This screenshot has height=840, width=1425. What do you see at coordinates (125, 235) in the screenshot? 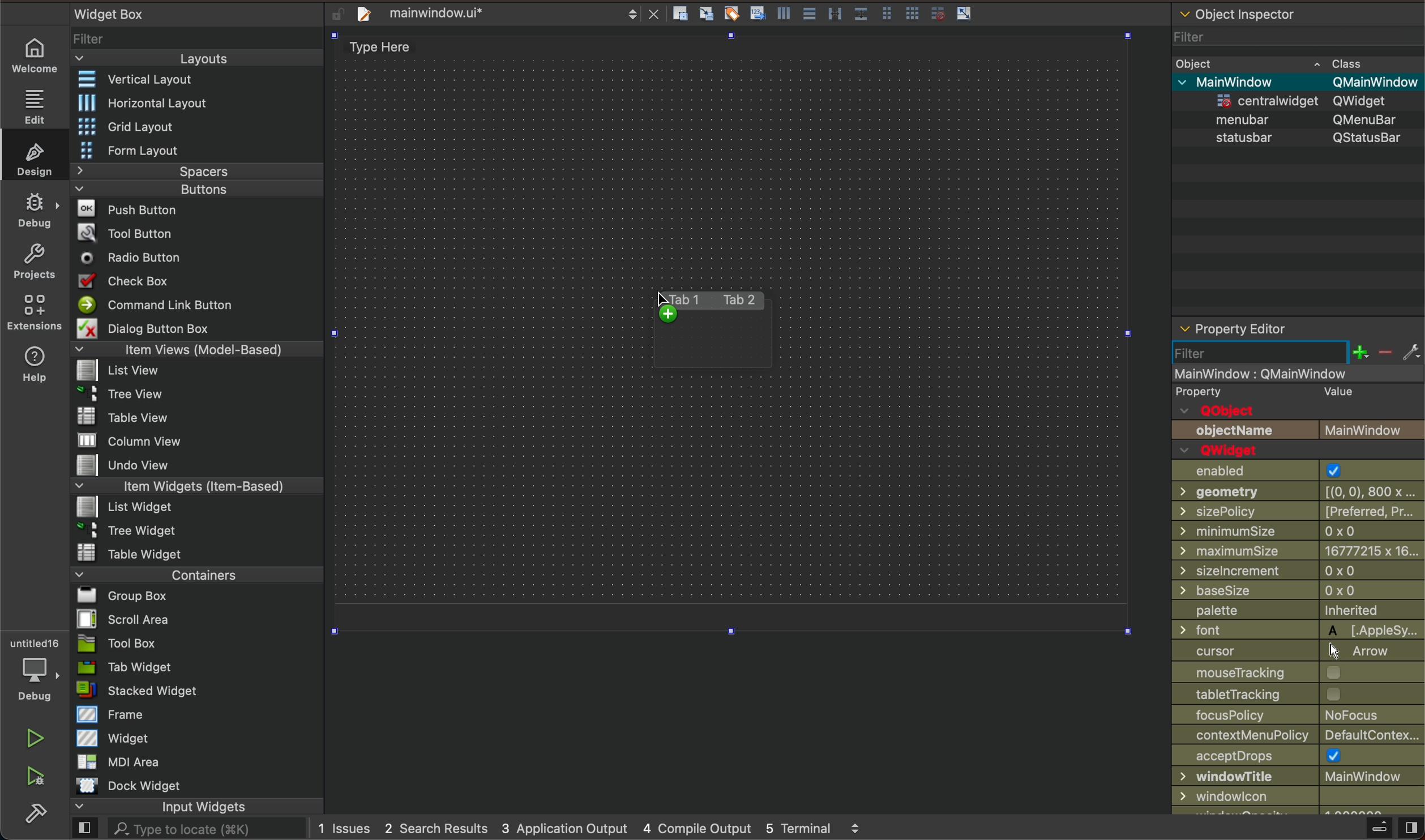
I see `Tool Button` at bounding box center [125, 235].